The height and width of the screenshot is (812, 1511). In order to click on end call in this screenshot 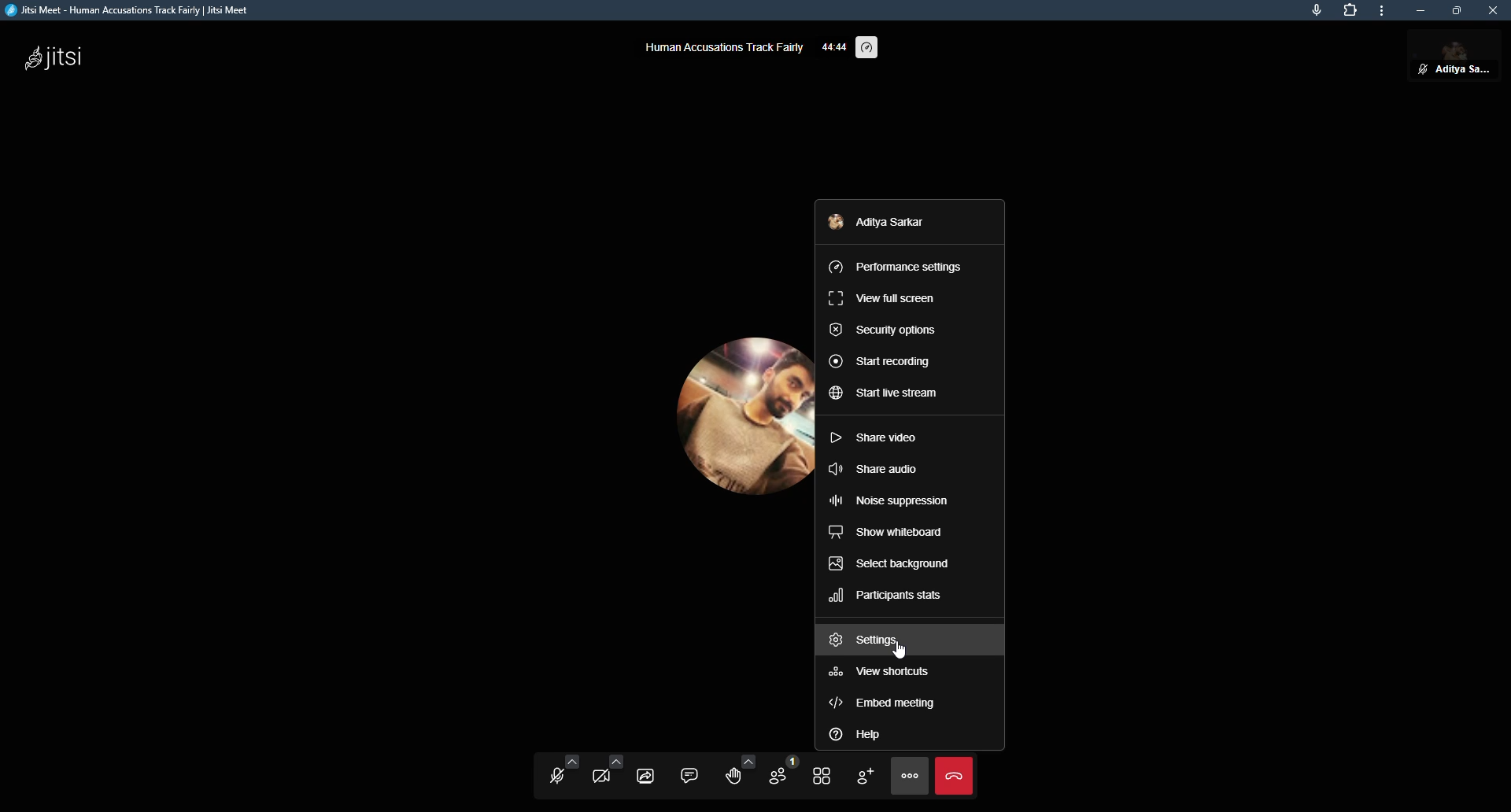, I will do `click(952, 776)`.